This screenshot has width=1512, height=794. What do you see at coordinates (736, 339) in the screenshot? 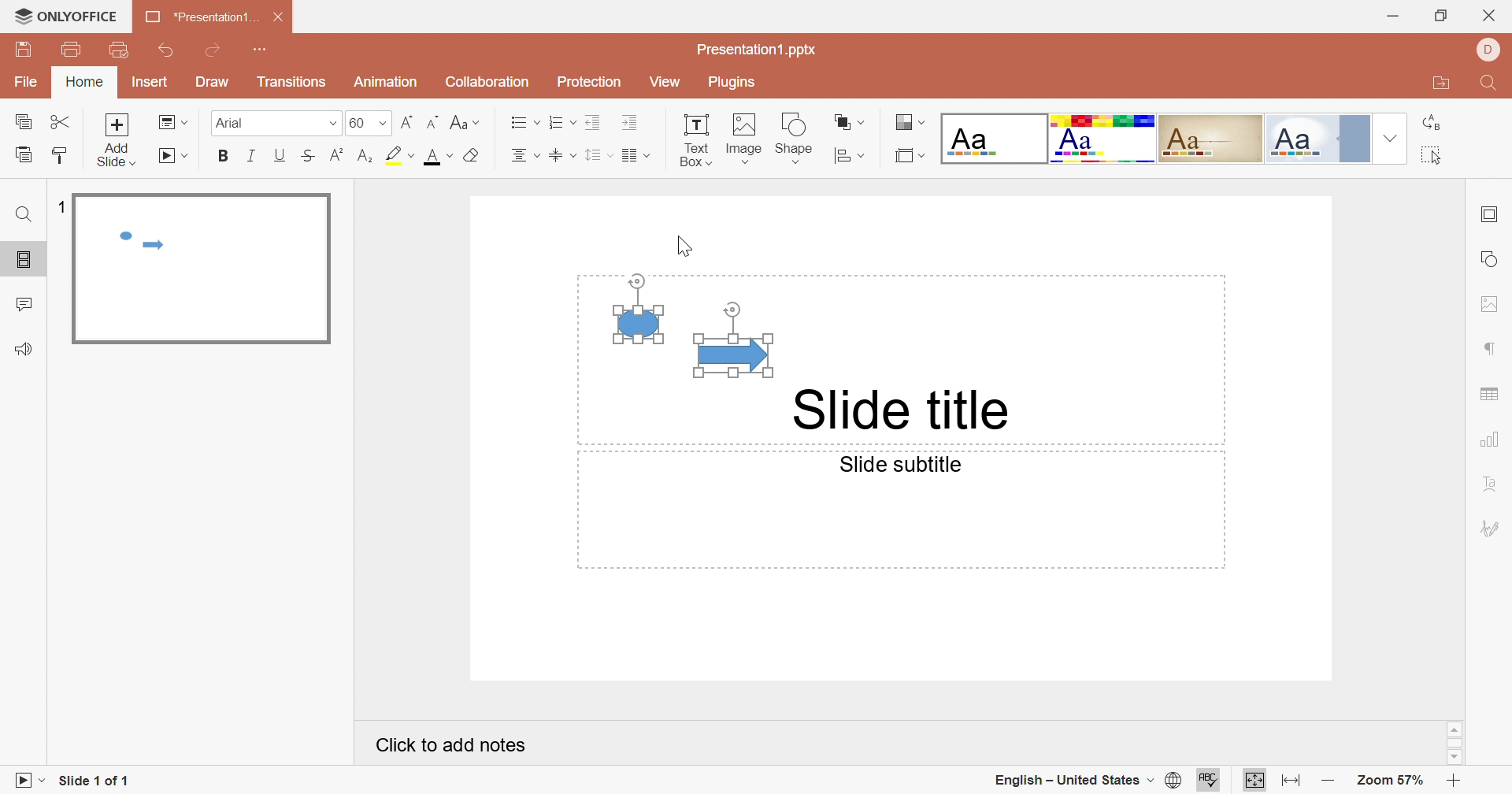
I see `Shape` at bounding box center [736, 339].